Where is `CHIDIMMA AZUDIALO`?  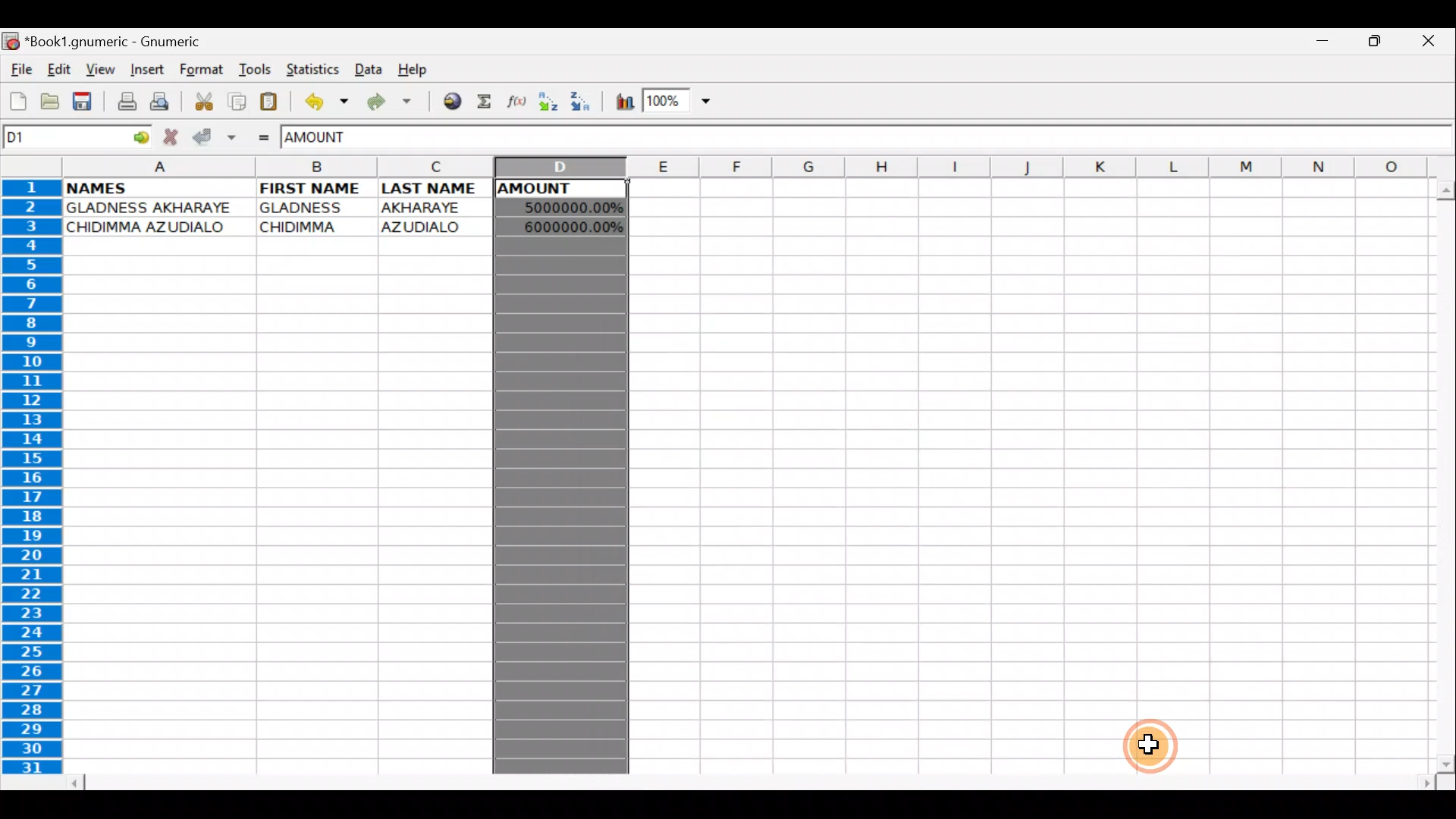
CHIDIMMA AZUDIALO is located at coordinates (156, 228).